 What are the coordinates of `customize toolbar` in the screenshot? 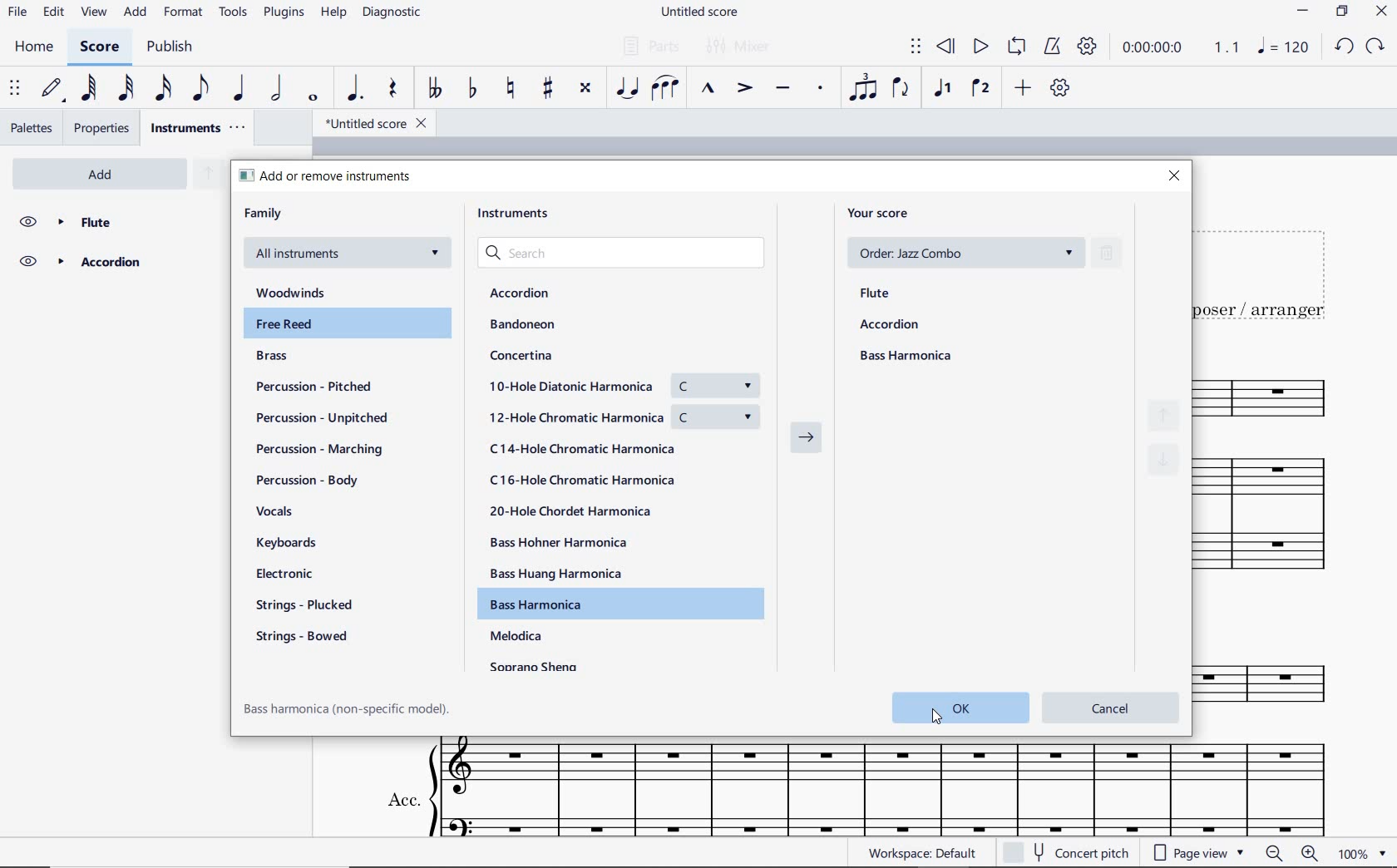 It's located at (1062, 88).